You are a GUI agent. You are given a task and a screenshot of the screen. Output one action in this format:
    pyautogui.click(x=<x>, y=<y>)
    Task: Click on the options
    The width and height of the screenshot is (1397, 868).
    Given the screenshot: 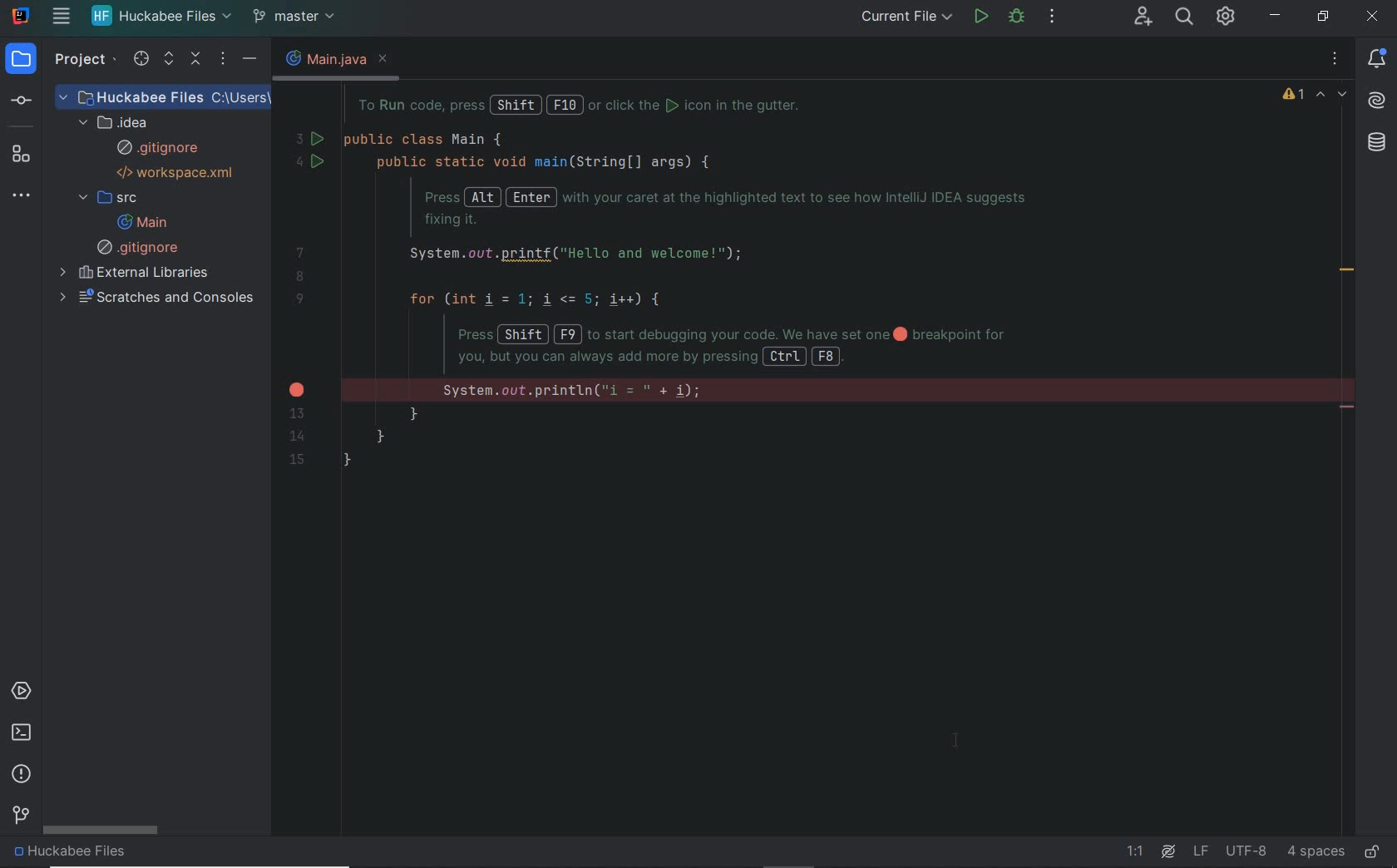 What is the action you would take?
    pyautogui.click(x=223, y=60)
    